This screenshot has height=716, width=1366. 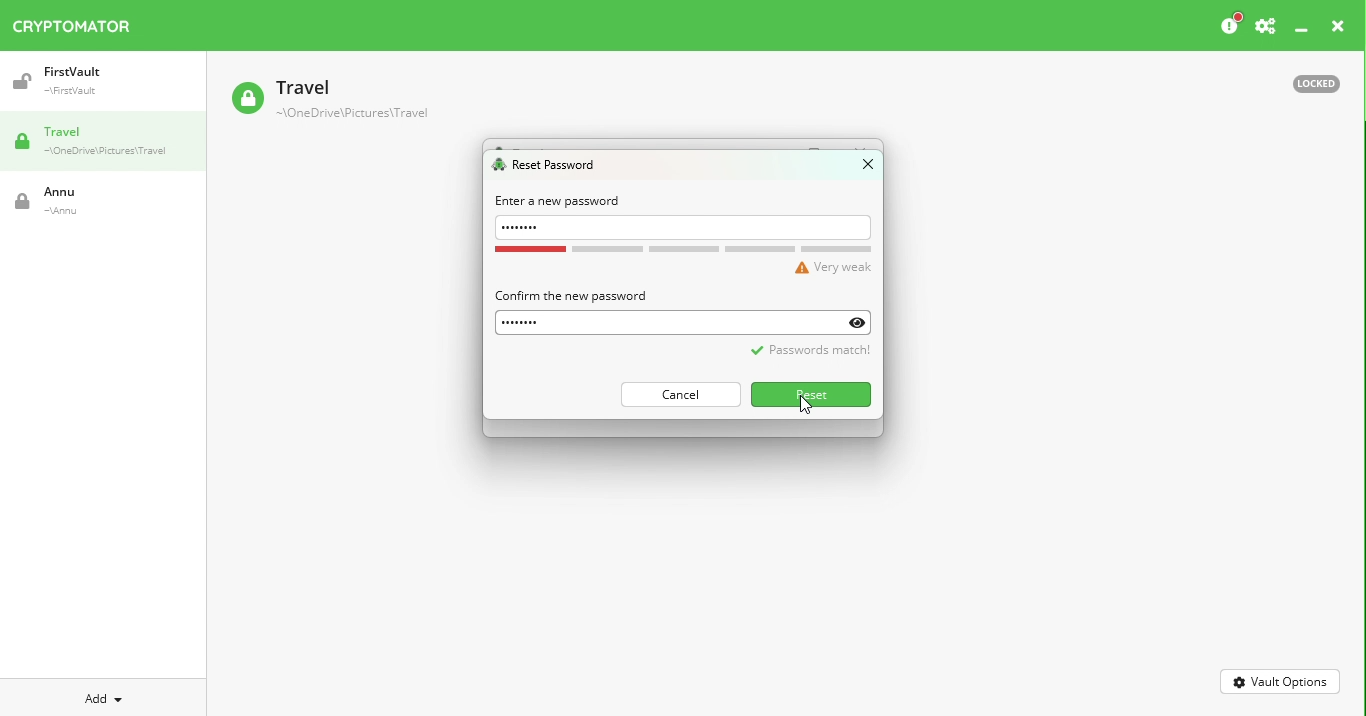 What do you see at coordinates (559, 201) in the screenshot?
I see `Enter a new password` at bounding box center [559, 201].